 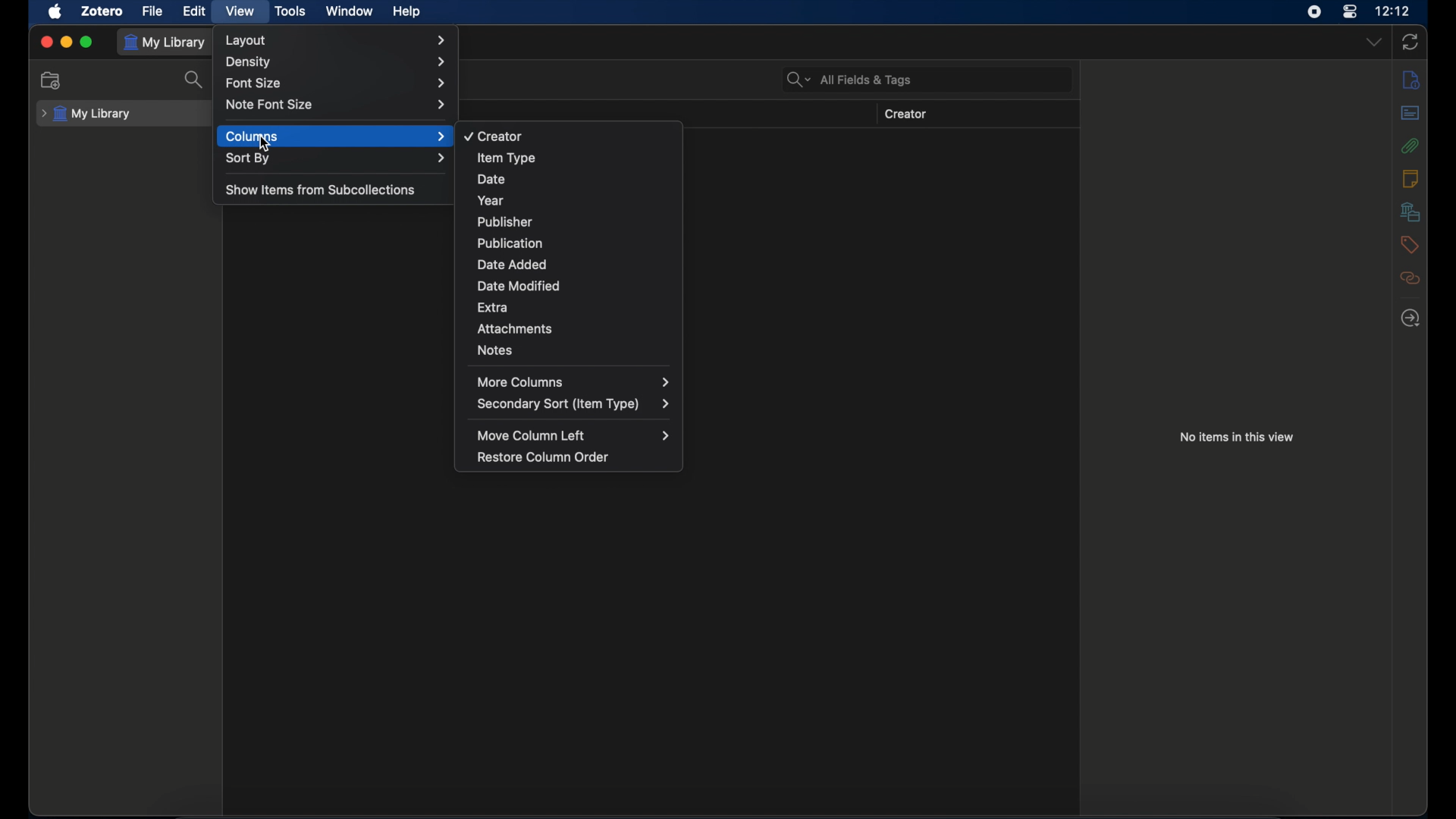 I want to click on attachments, so click(x=516, y=328).